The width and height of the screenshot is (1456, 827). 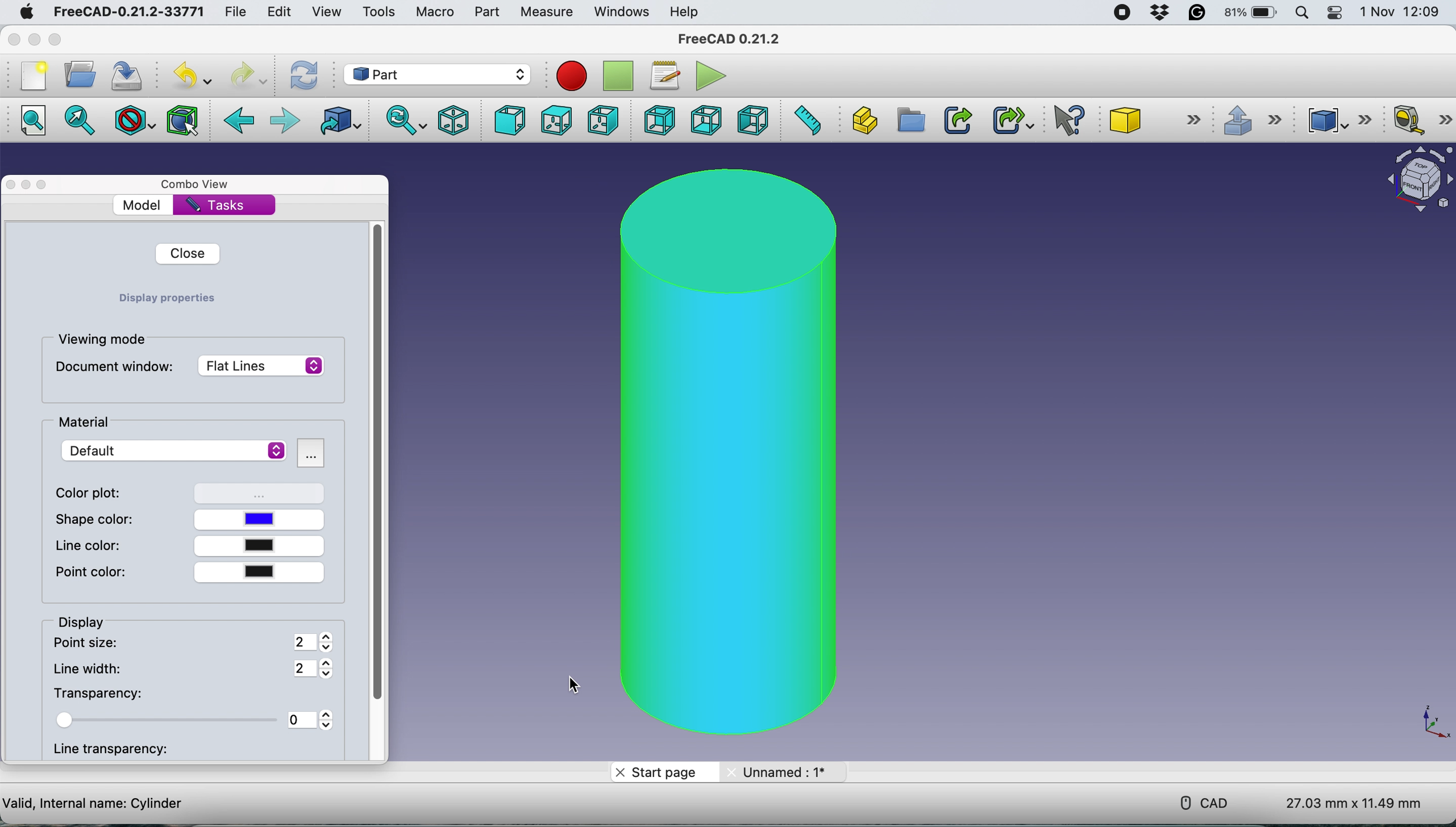 What do you see at coordinates (1122, 14) in the screenshot?
I see `screen recorder` at bounding box center [1122, 14].